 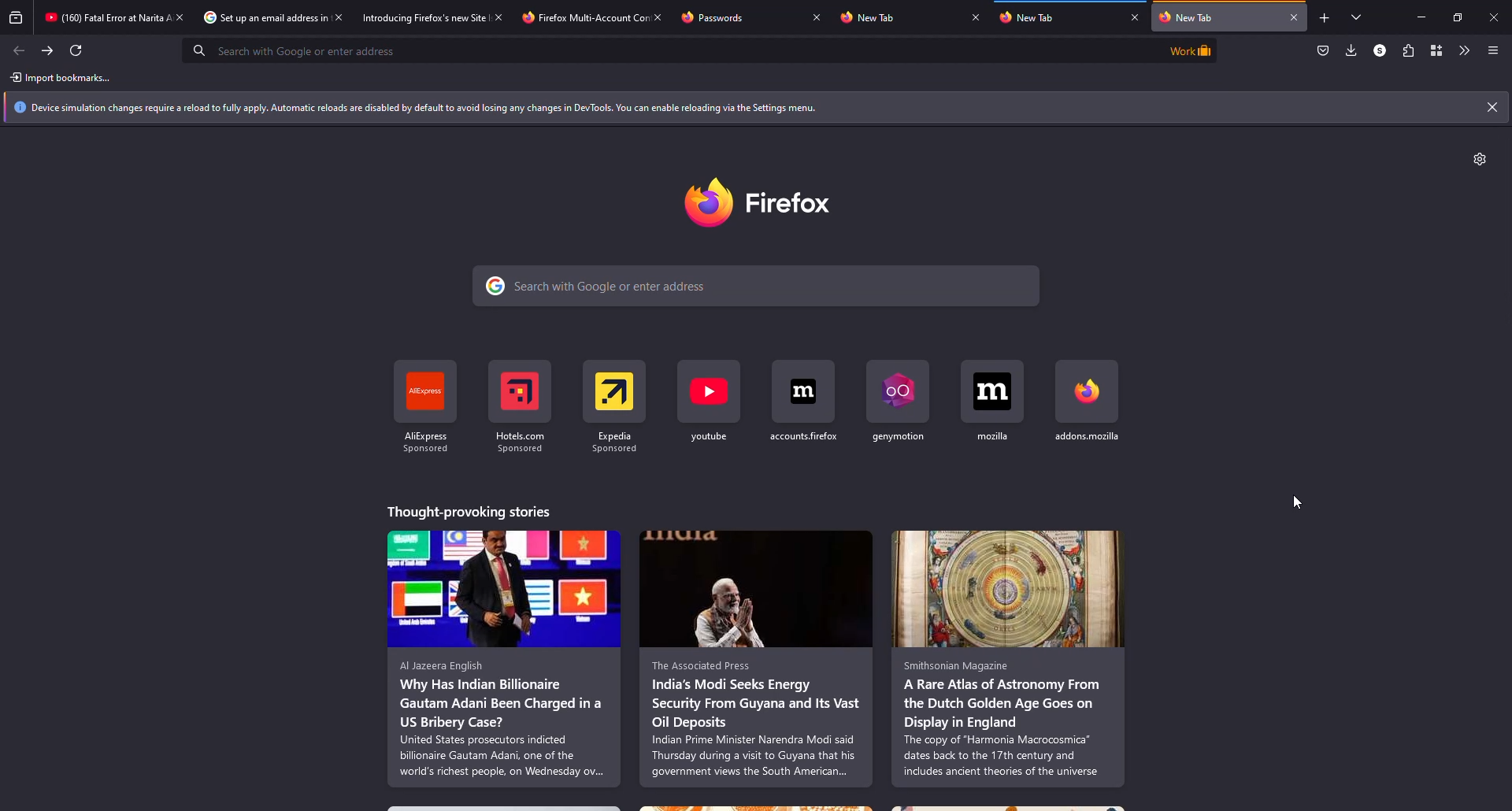 I want to click on tab, so click(x=871, y=18).